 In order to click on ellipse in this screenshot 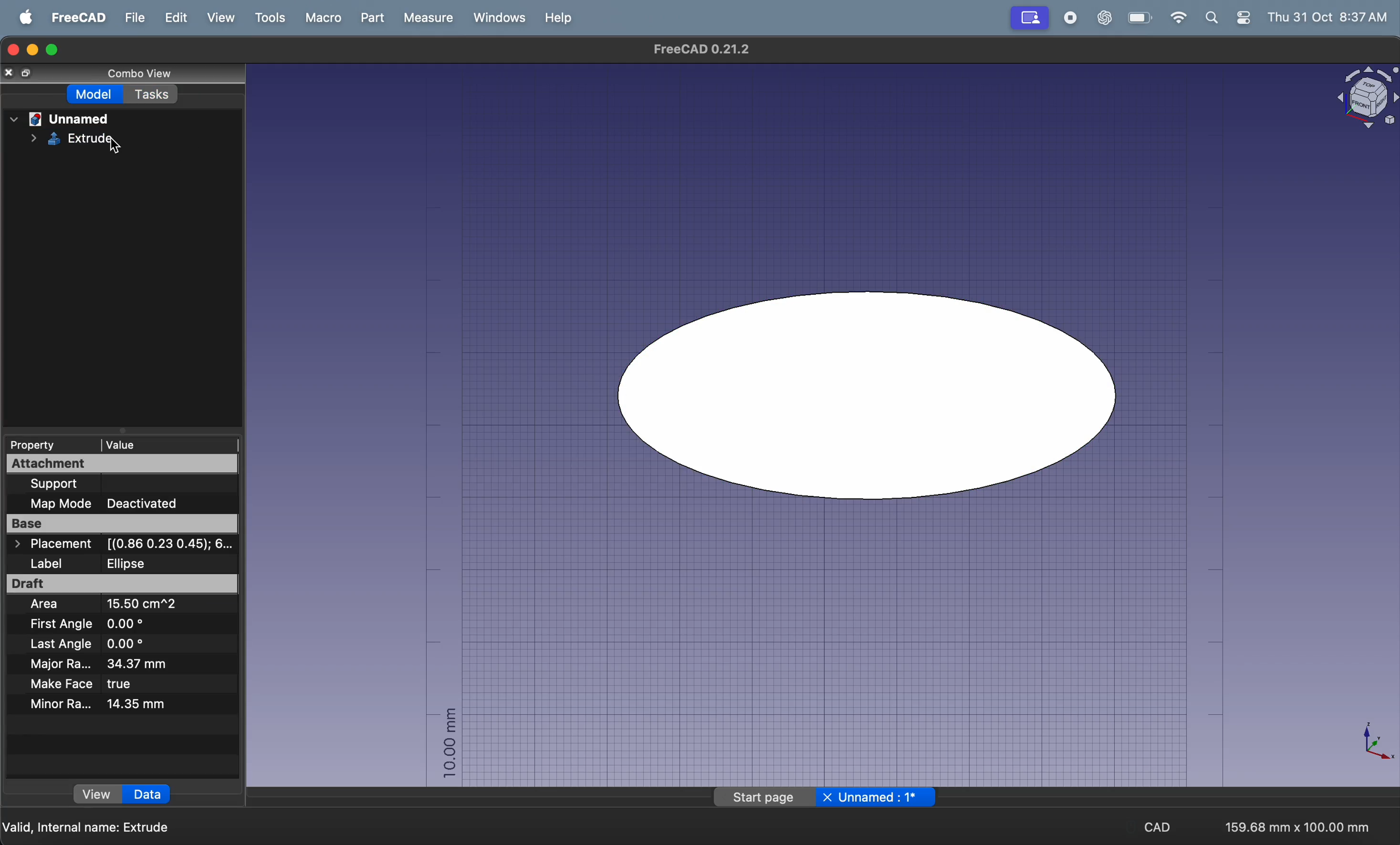, I will do `click(831, 392)`.